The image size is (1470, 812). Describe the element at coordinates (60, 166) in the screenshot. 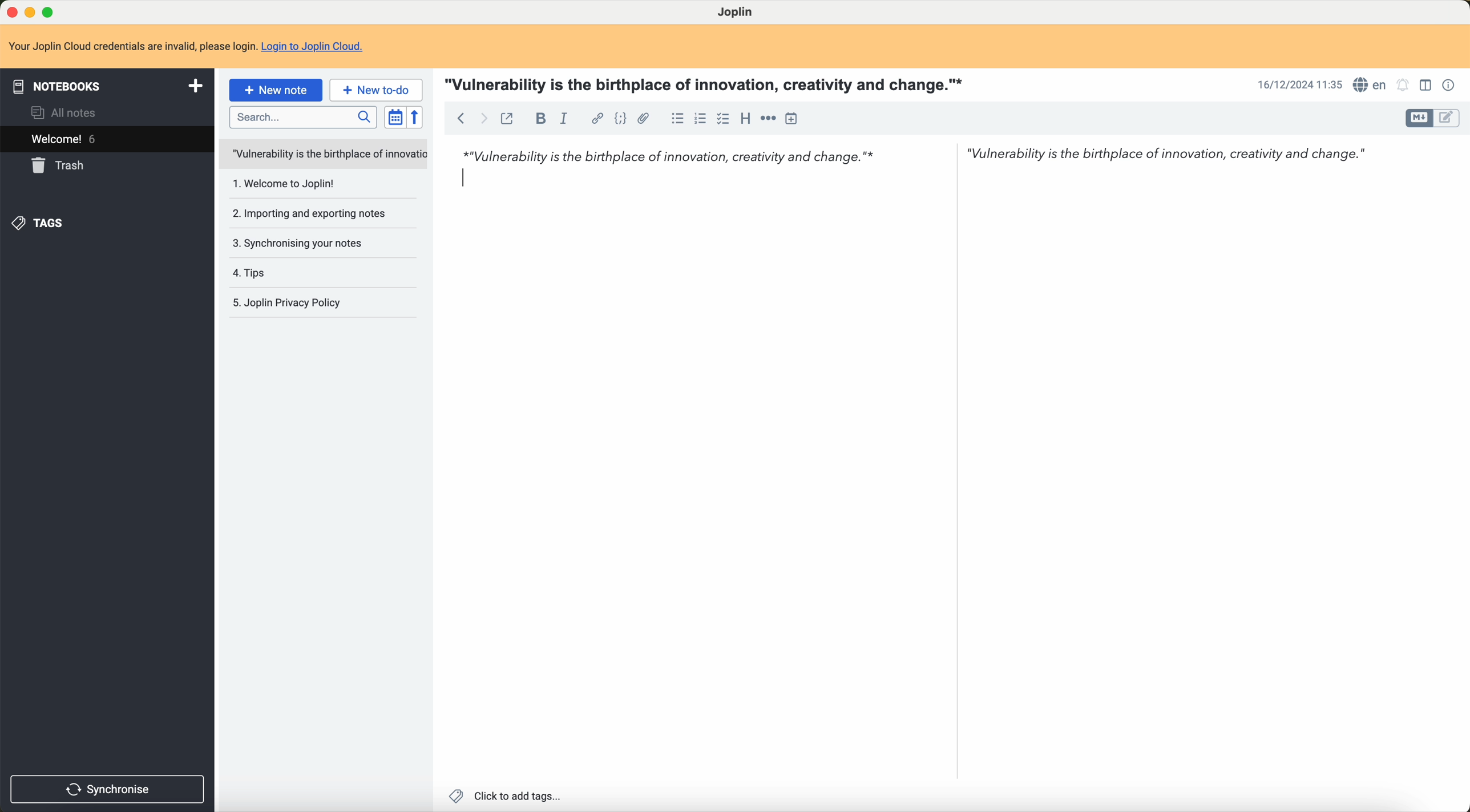

I see `trash` at that location.